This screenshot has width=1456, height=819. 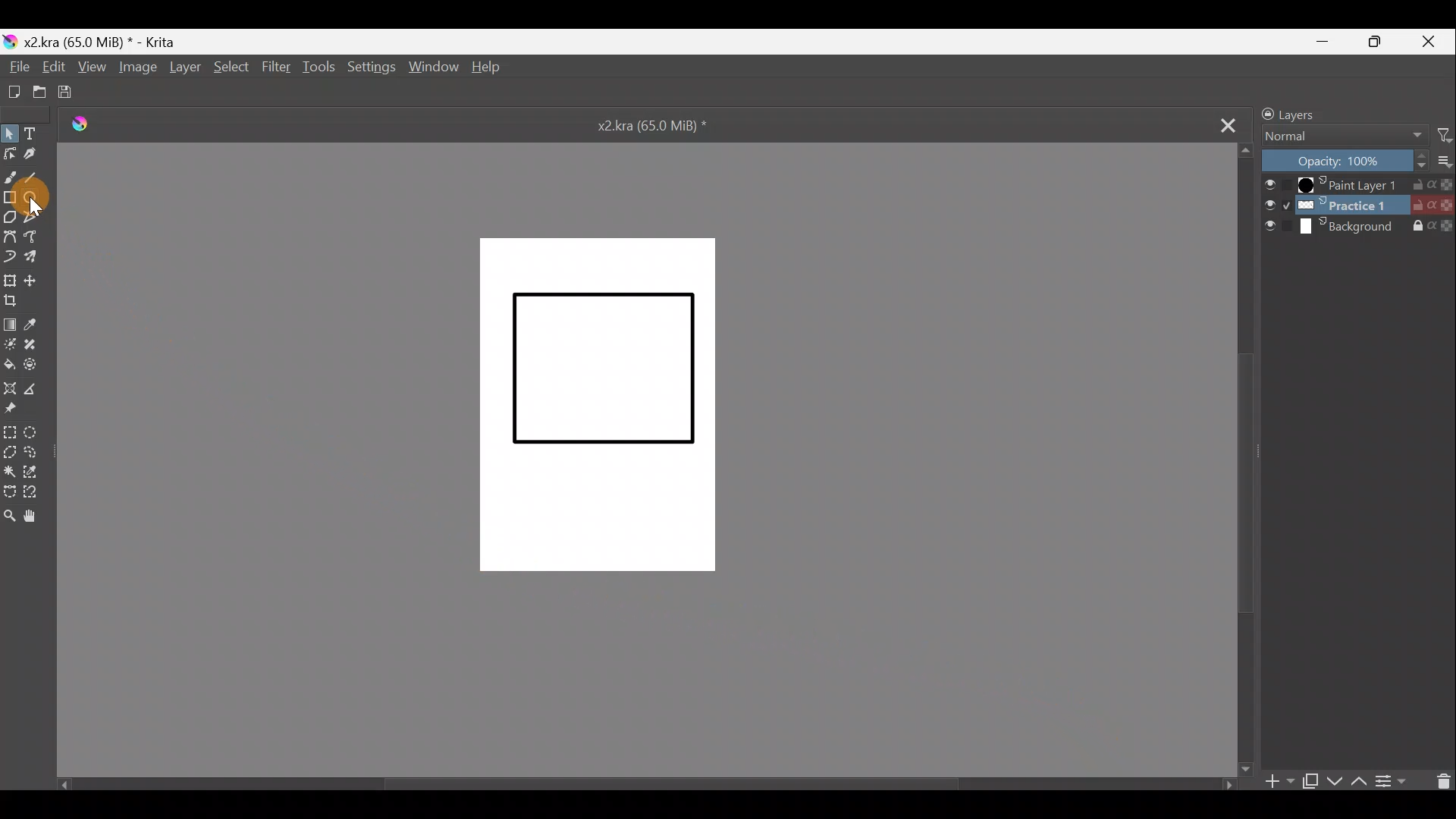 What do you see at coordinates (15, 67) in the screenshot?
I see `File` at bounding box center [15, 67].